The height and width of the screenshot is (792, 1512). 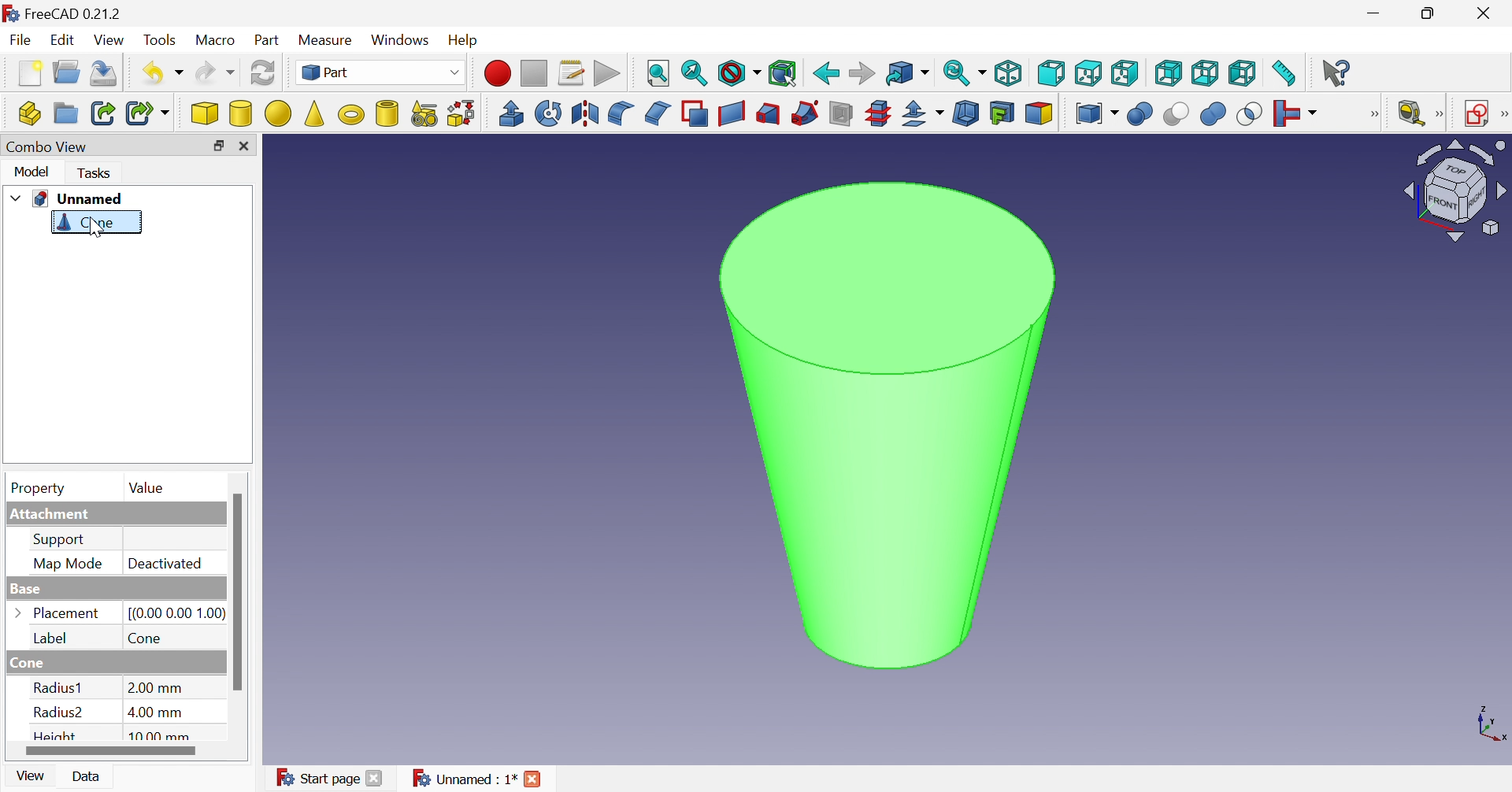 I want to click on View, so click(x=113, y=39).